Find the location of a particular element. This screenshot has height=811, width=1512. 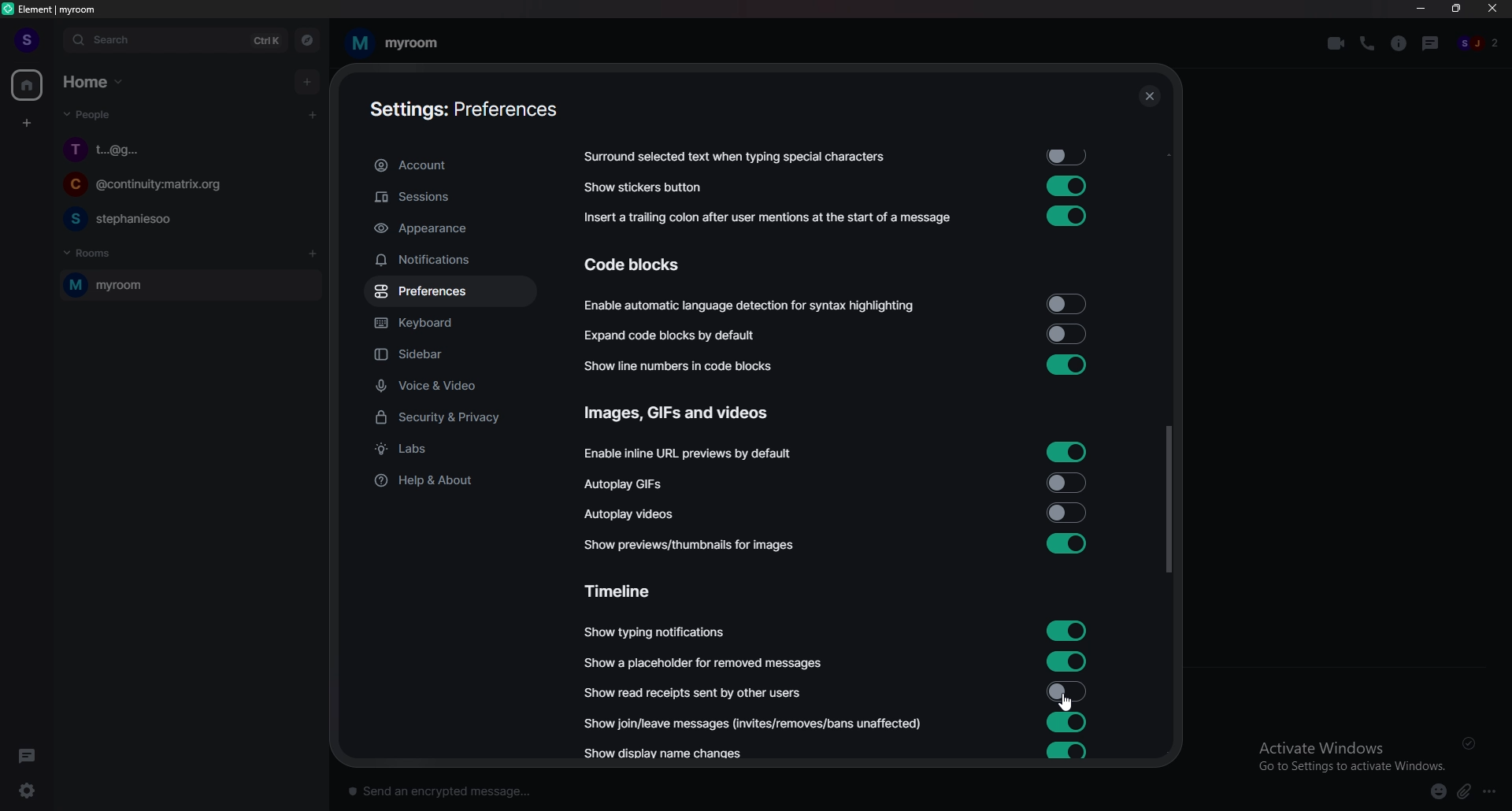

show stickers button is located at coordinates (644, 187).